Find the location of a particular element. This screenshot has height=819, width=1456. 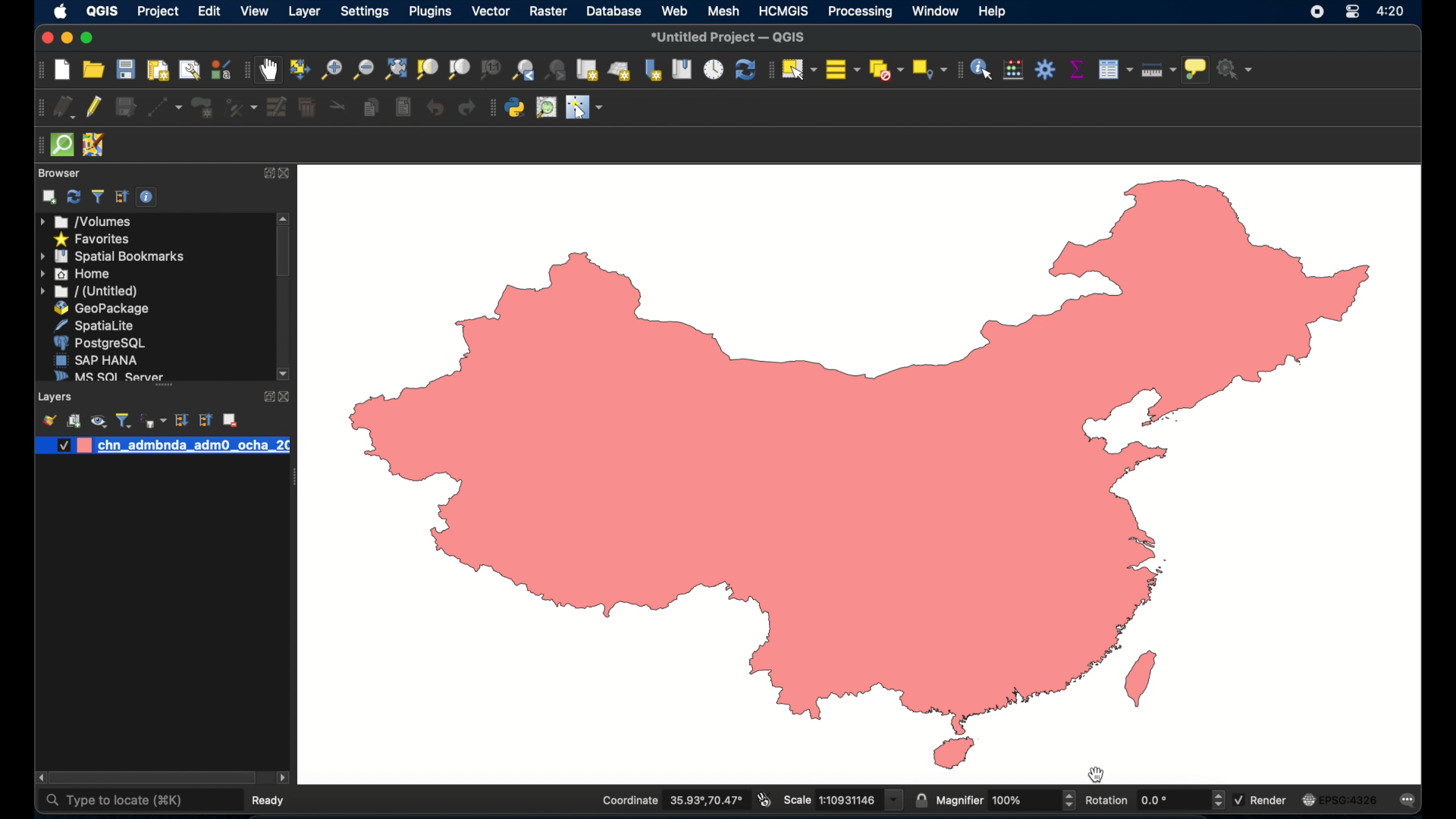

*untitled project - QGIS is located at coordinates (728, 39).